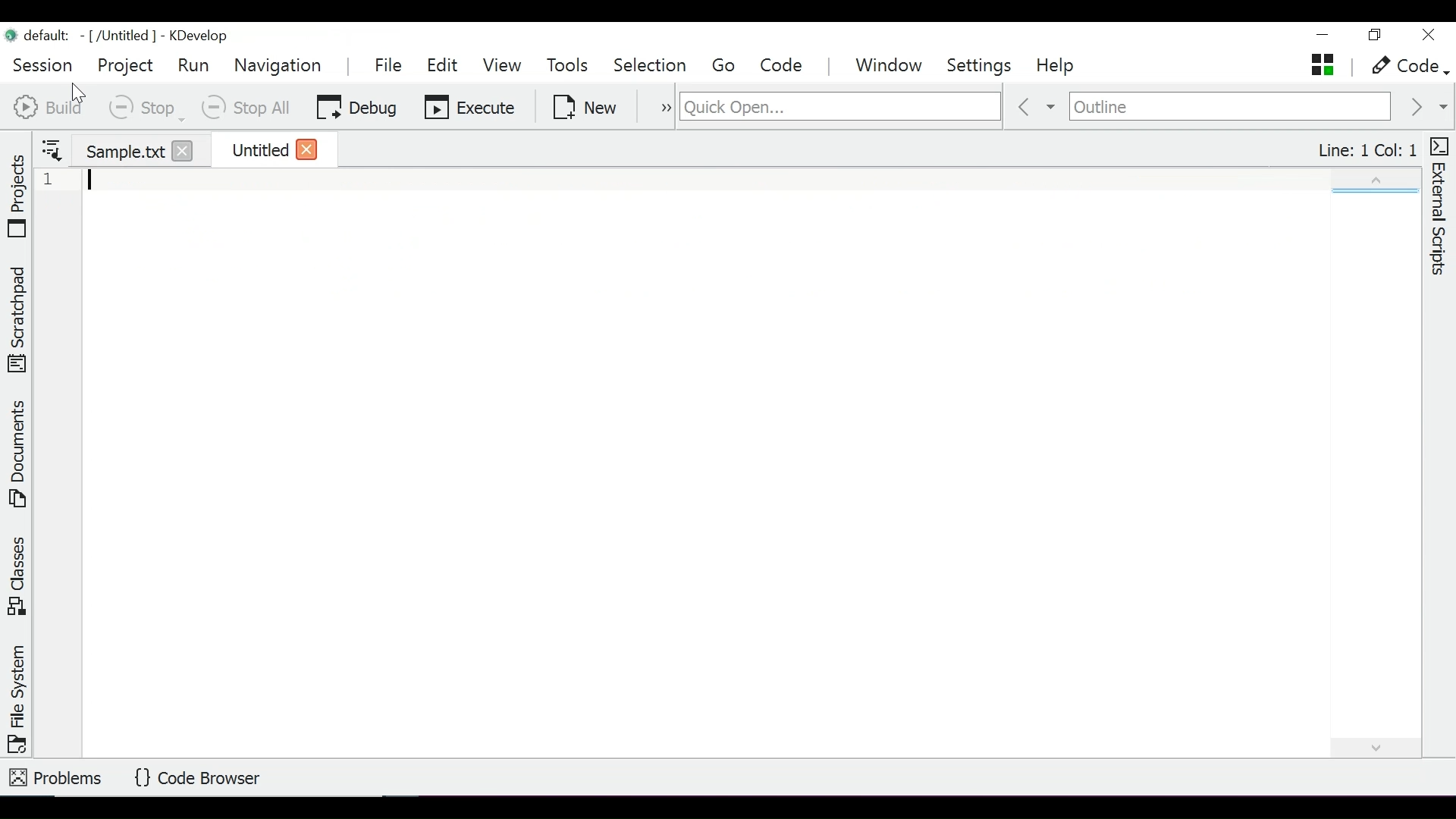 The image size is (1456, 819). I want to click on Tools, so click(570, 64).